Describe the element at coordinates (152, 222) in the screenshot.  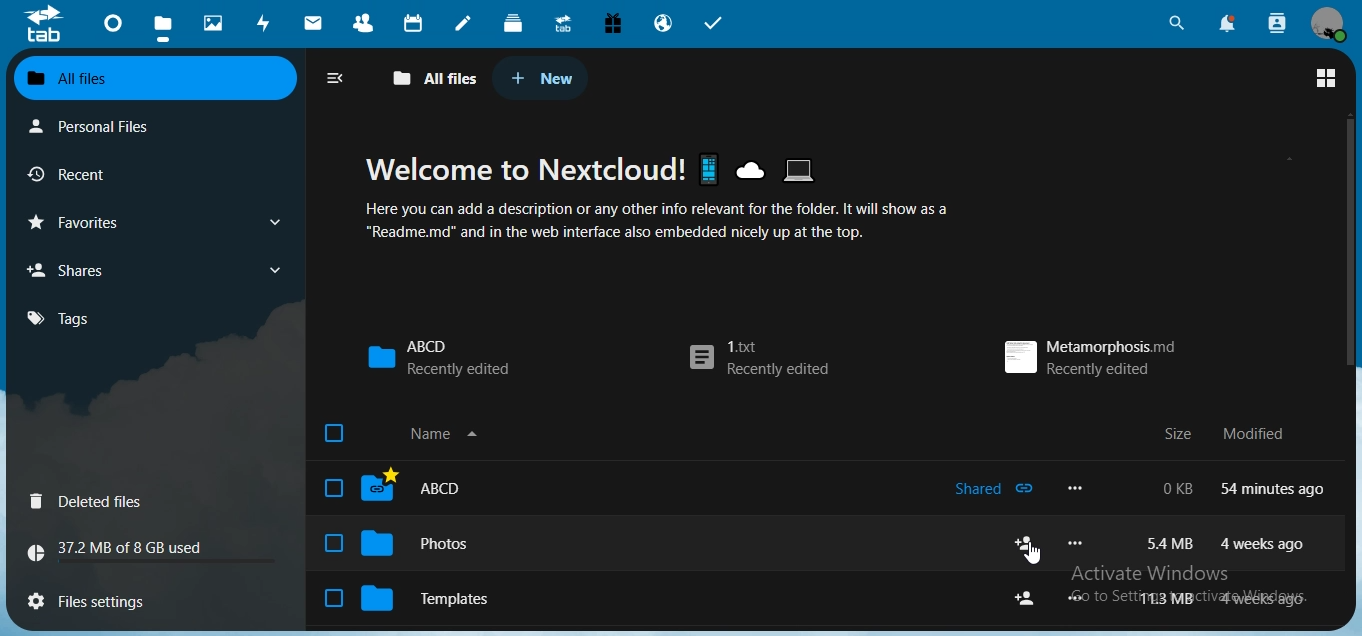
I see `favourites` at that location.